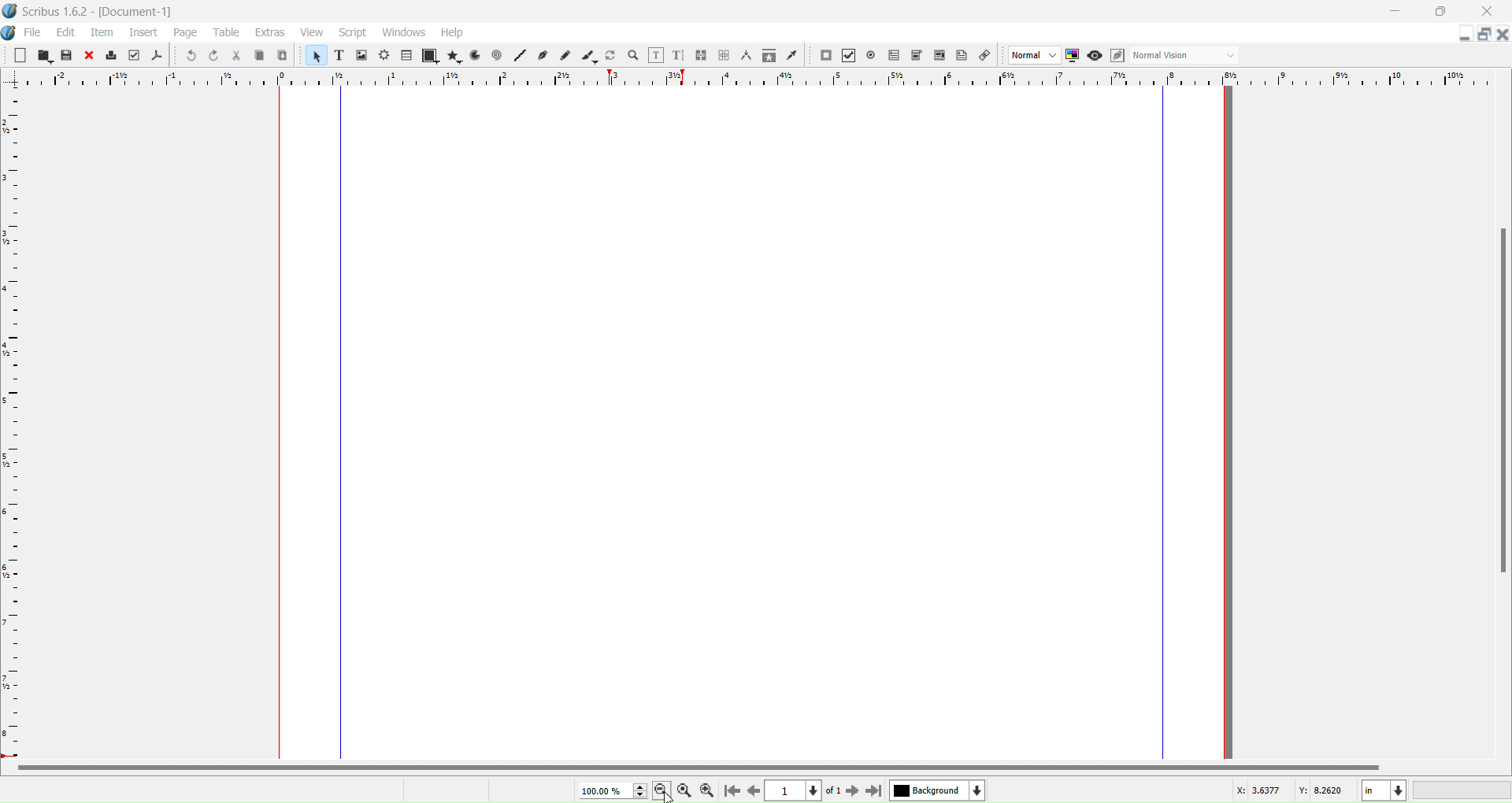 The image size is (1512, 803). Describe the element at coordinates (452, 33) in the screenshot. I see `Help` at that location.